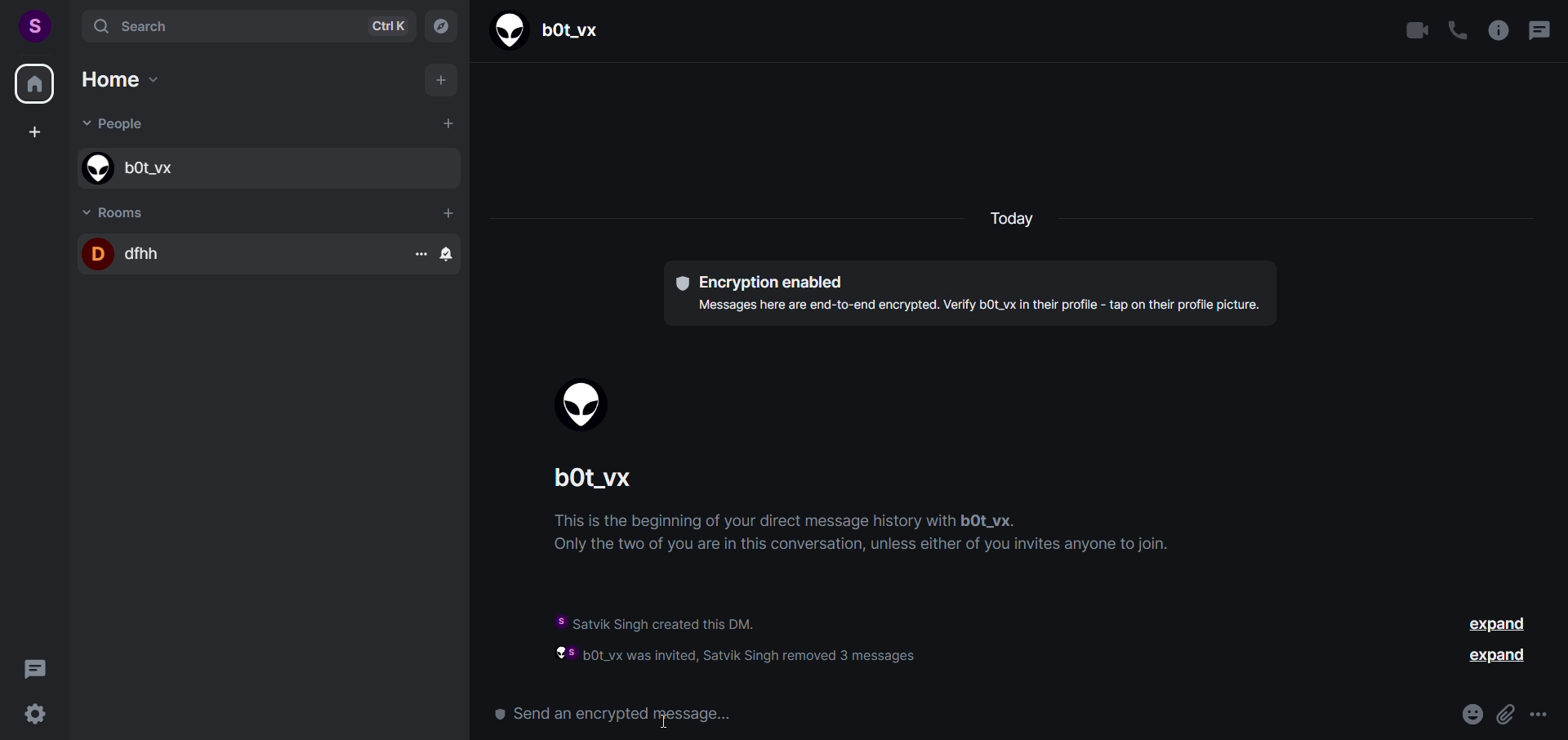 The image size is (1568, 740). What do you see at coordinates (1498, 623) in the screenshot?
I see `expand` at bounding box center [1498, 623].